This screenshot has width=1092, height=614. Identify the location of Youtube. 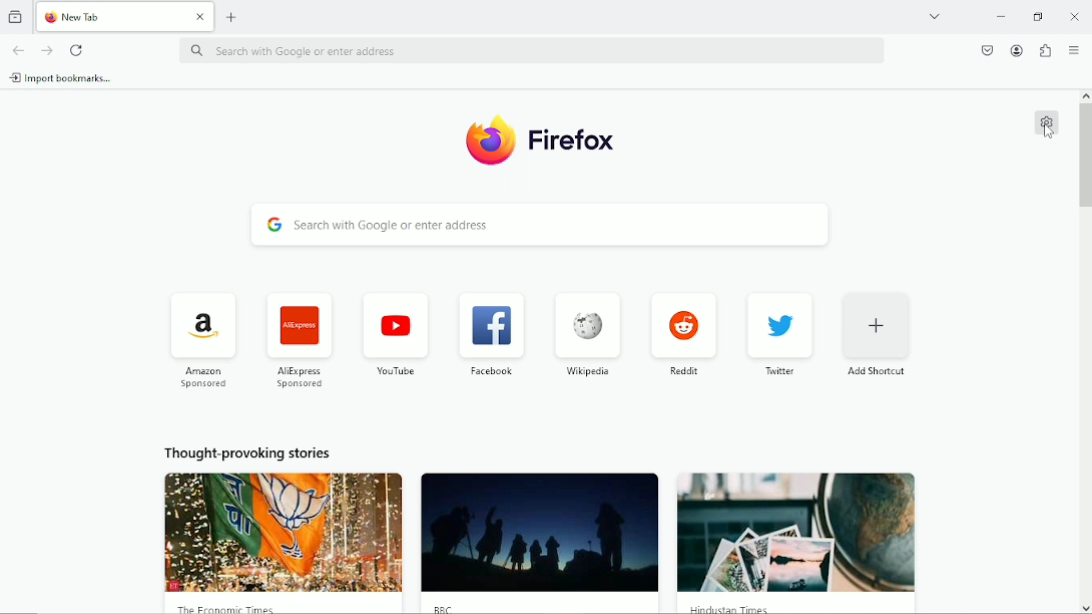
(393, 333).